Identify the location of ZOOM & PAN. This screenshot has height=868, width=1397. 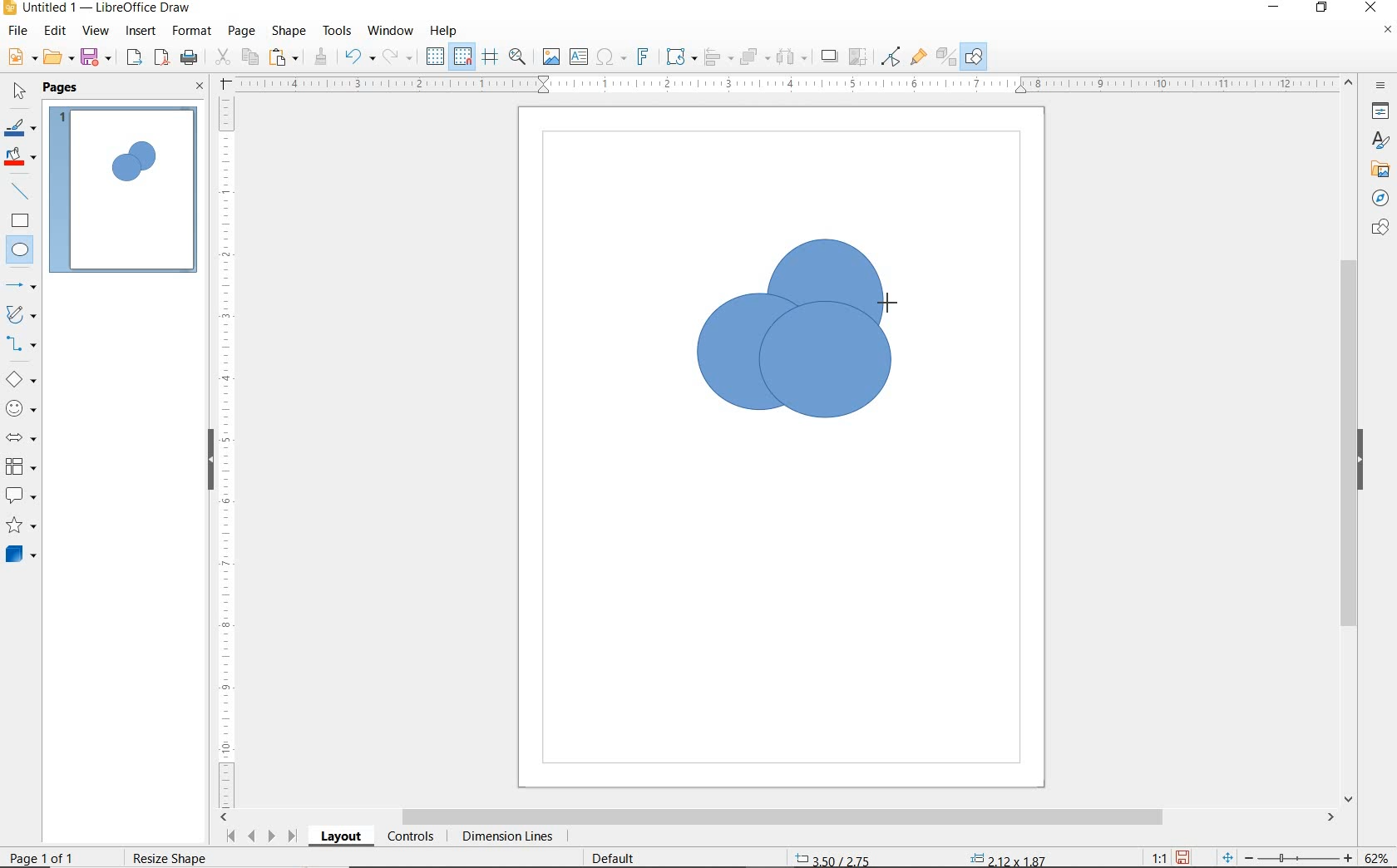
(517, 56).